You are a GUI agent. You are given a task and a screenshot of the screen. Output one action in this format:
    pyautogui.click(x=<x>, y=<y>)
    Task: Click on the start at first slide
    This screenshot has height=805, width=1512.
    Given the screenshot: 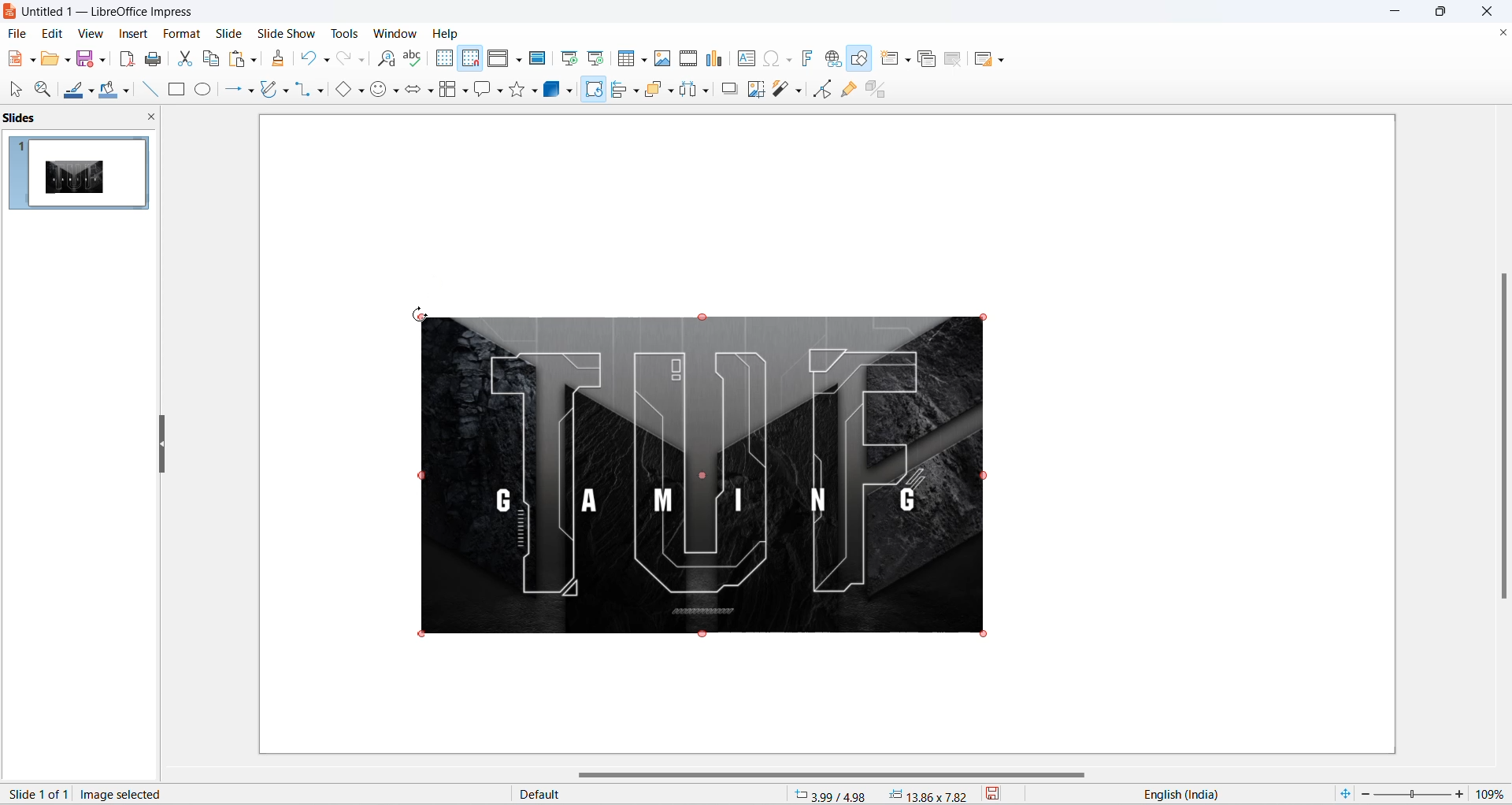 What is the action you would take?
    pyautogui.click(x=571, y=58)
    